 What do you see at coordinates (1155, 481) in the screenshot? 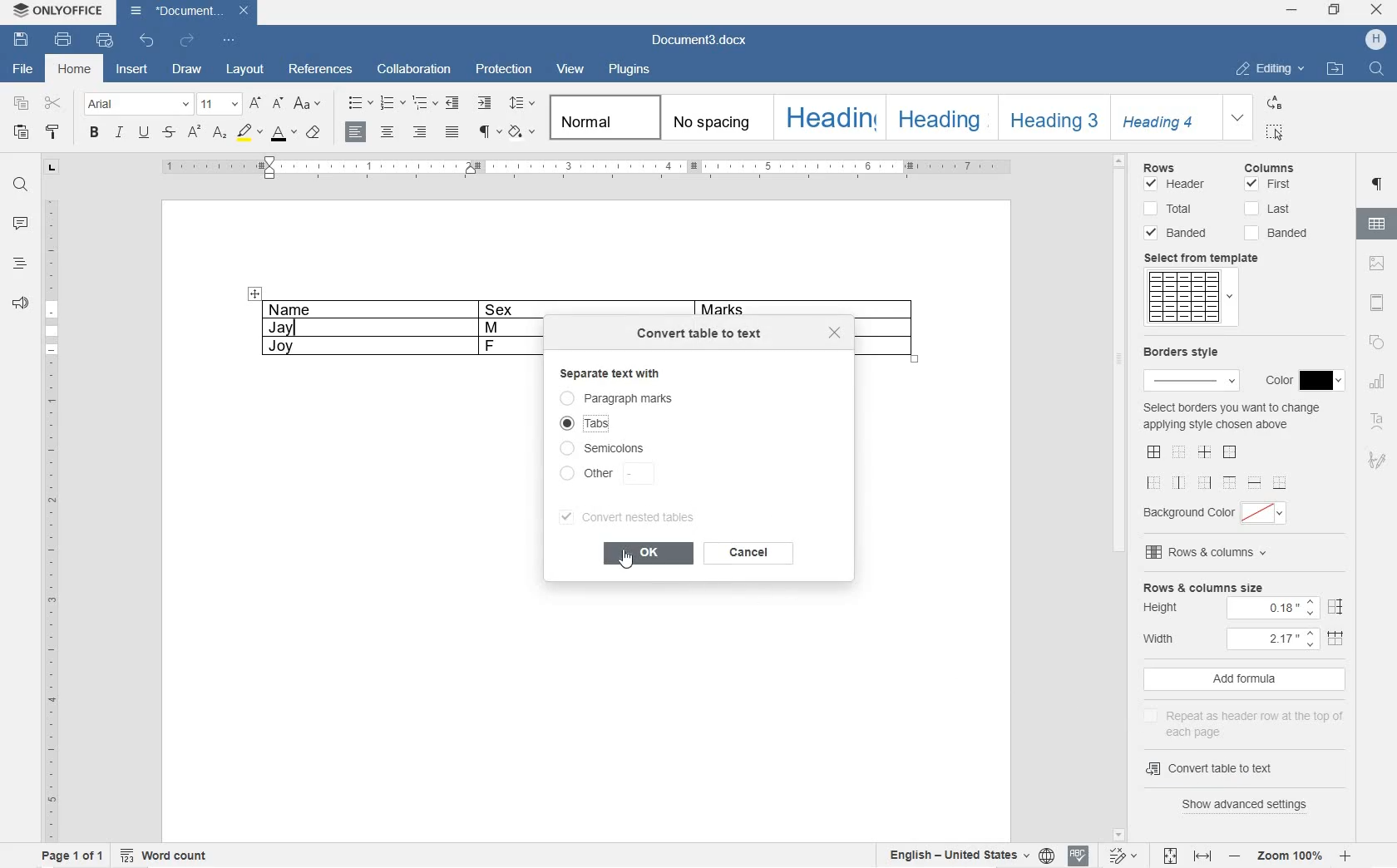
I see `set outer left border only` at bounding box center [1155, 481].